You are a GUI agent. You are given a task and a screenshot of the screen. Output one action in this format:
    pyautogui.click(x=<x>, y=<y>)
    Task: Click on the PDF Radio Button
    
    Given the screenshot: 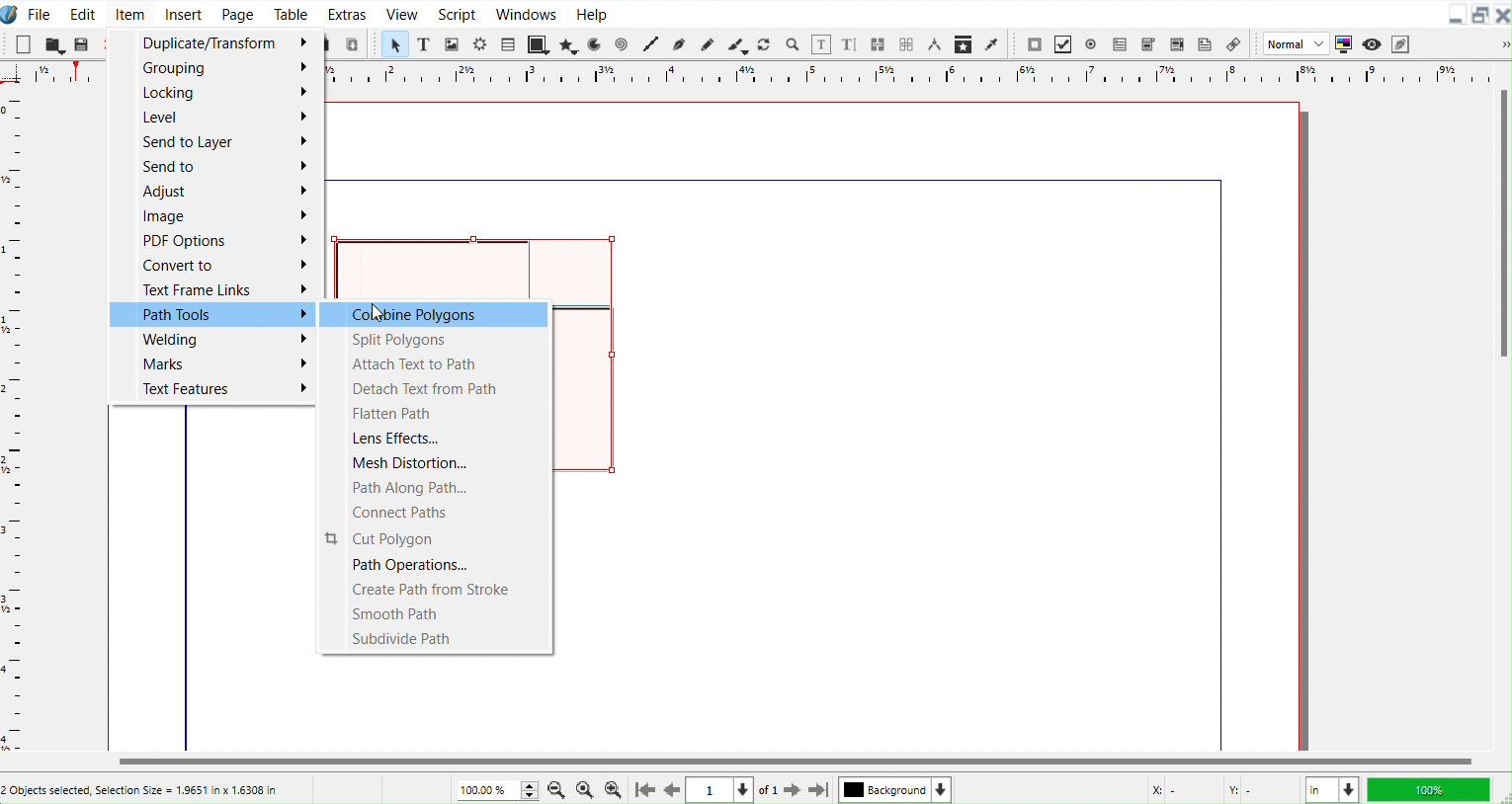 What is the action you would take?
    pyautogui.click(x=1091, y=43)
    